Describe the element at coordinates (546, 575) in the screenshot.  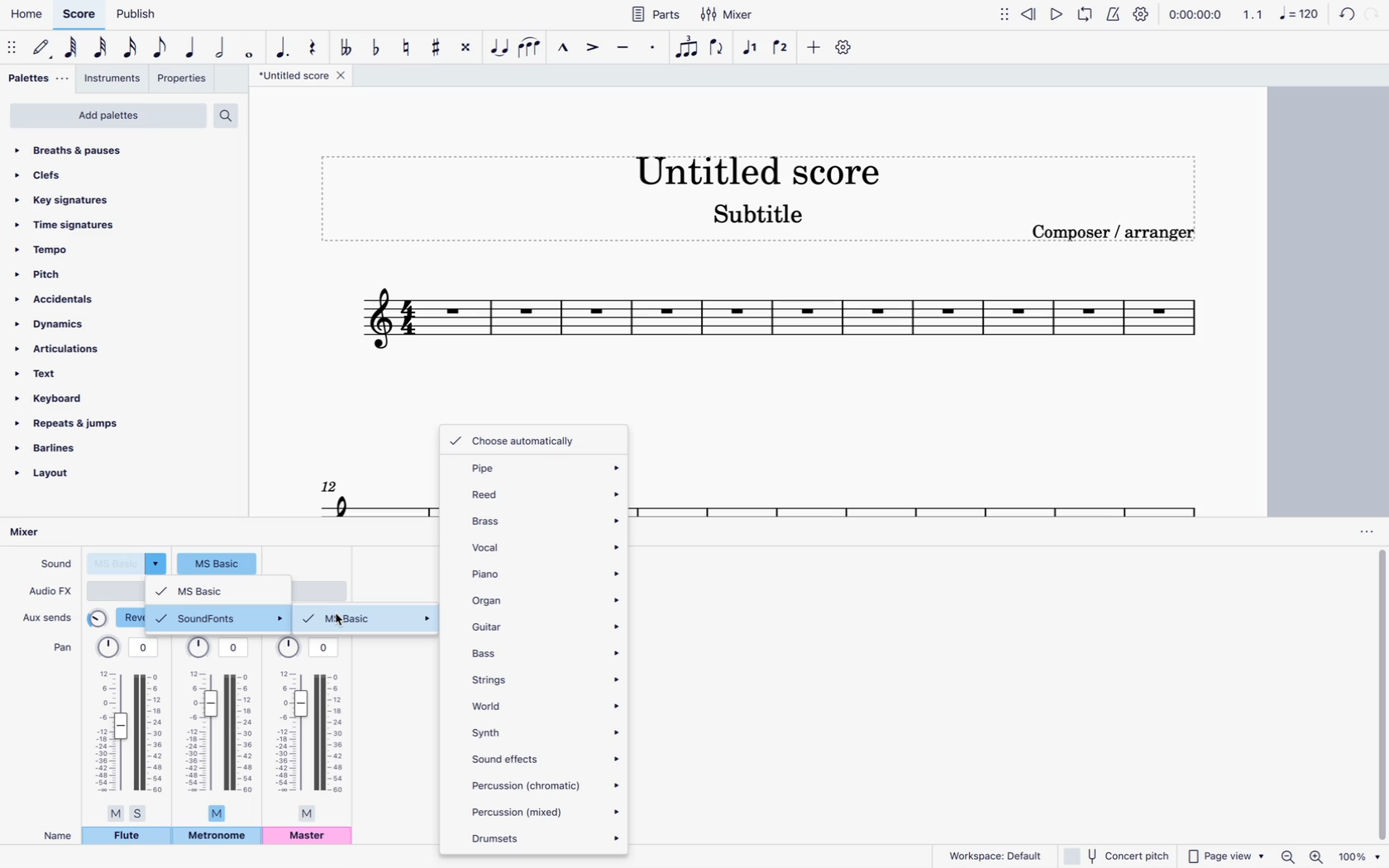
I see `piano` at that location.